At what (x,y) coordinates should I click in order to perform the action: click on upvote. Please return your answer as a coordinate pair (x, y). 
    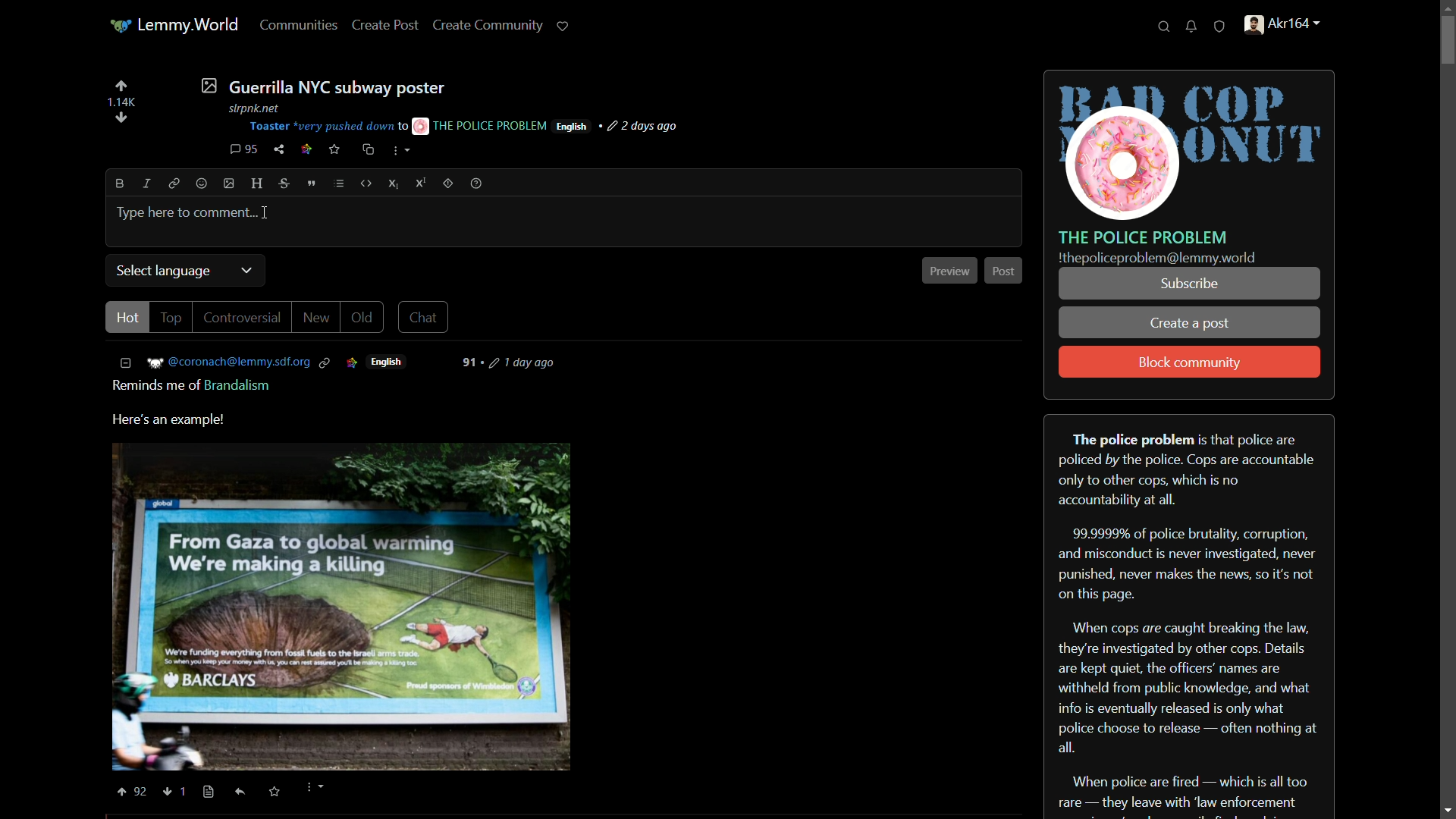
    Looking at the image, I should click on (130, 792).